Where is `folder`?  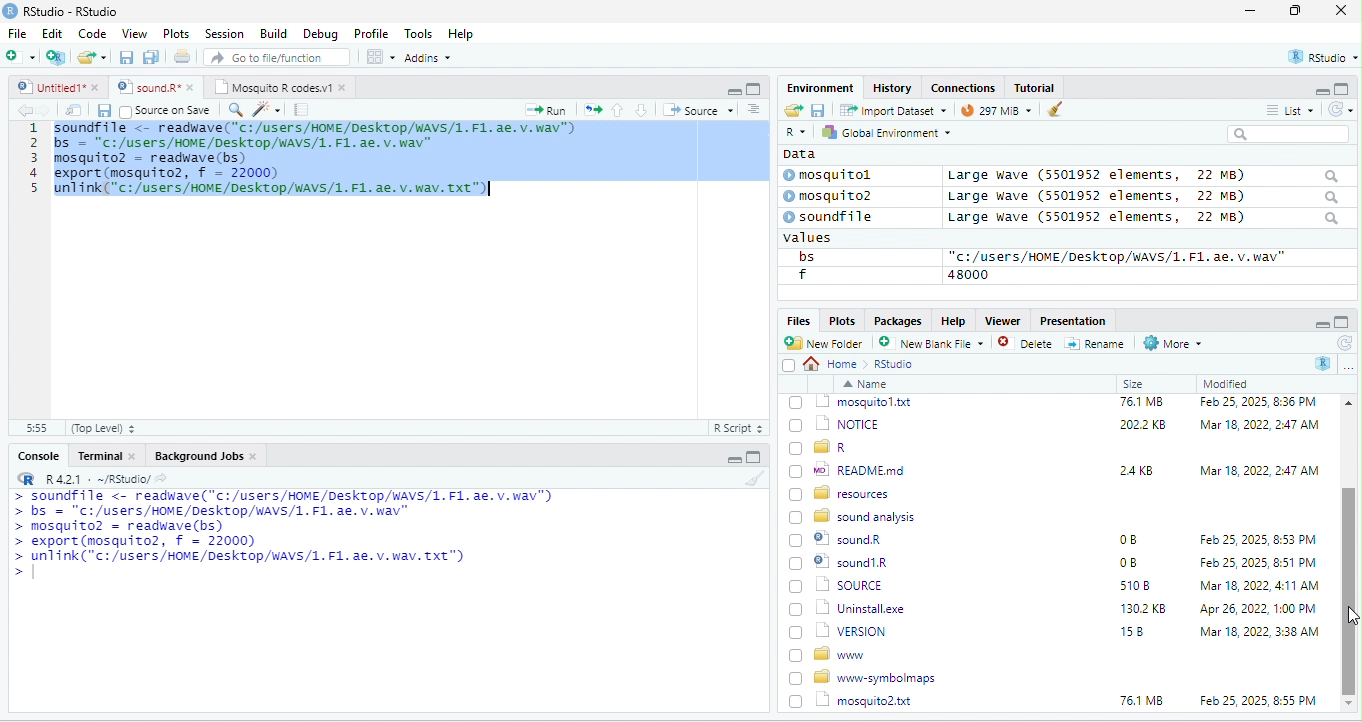 folder is located at coordinates (94, 57).